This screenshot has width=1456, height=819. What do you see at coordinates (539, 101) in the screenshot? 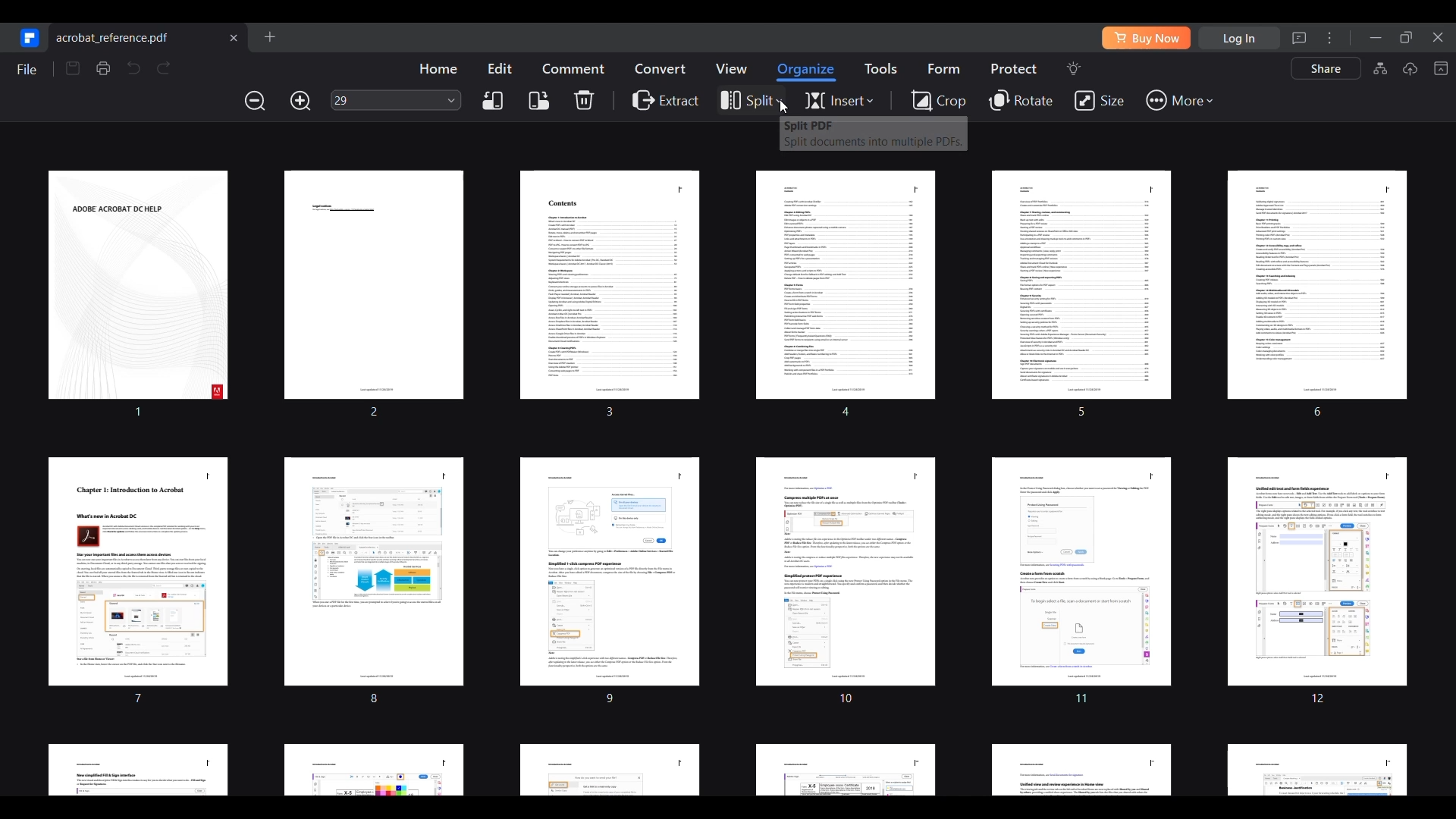
I see `Right rotate` at bounding box center [539, 101].